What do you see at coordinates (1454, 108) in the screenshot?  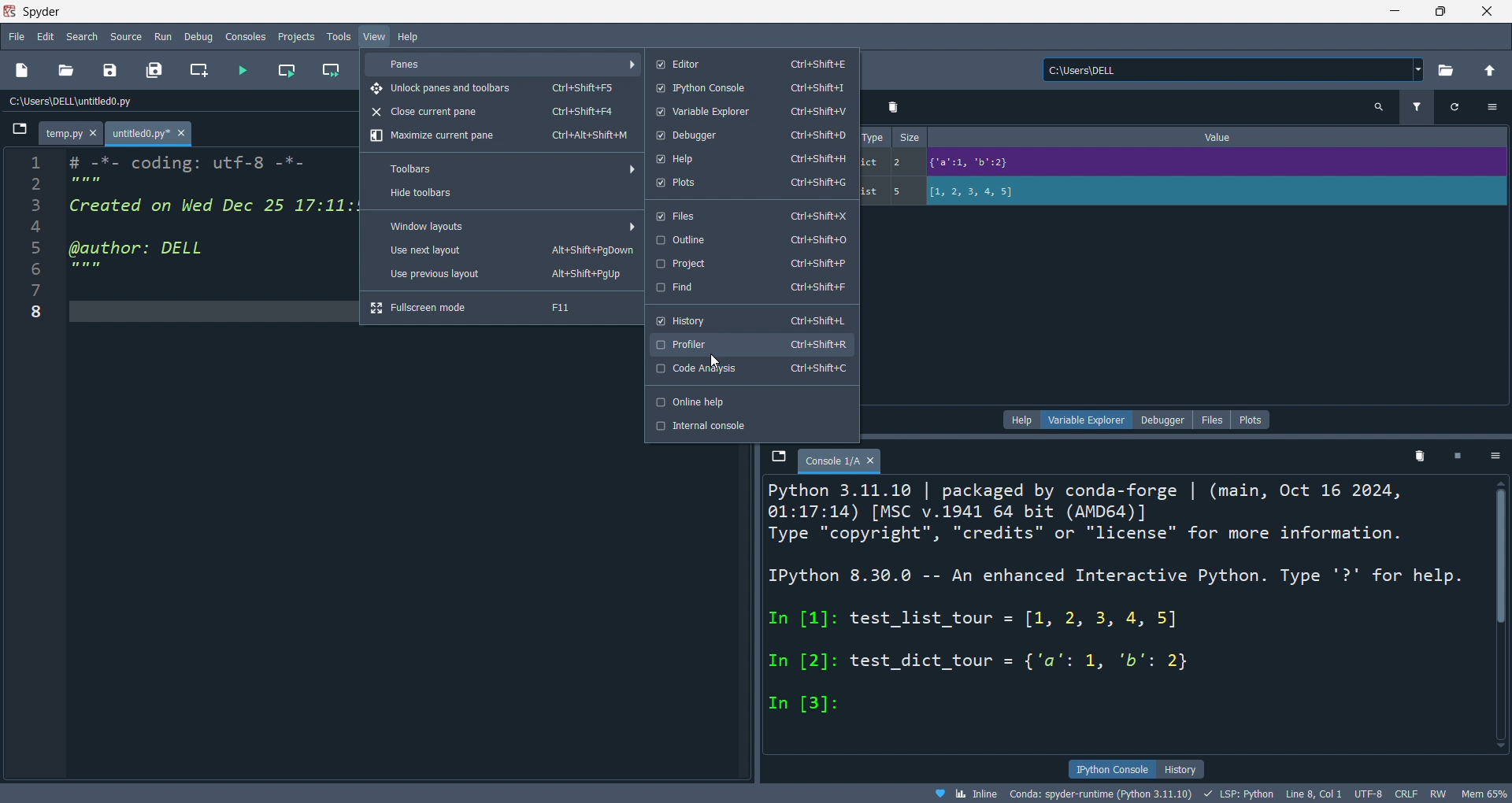 I see `refresh` at bounding box center [1454, 108].